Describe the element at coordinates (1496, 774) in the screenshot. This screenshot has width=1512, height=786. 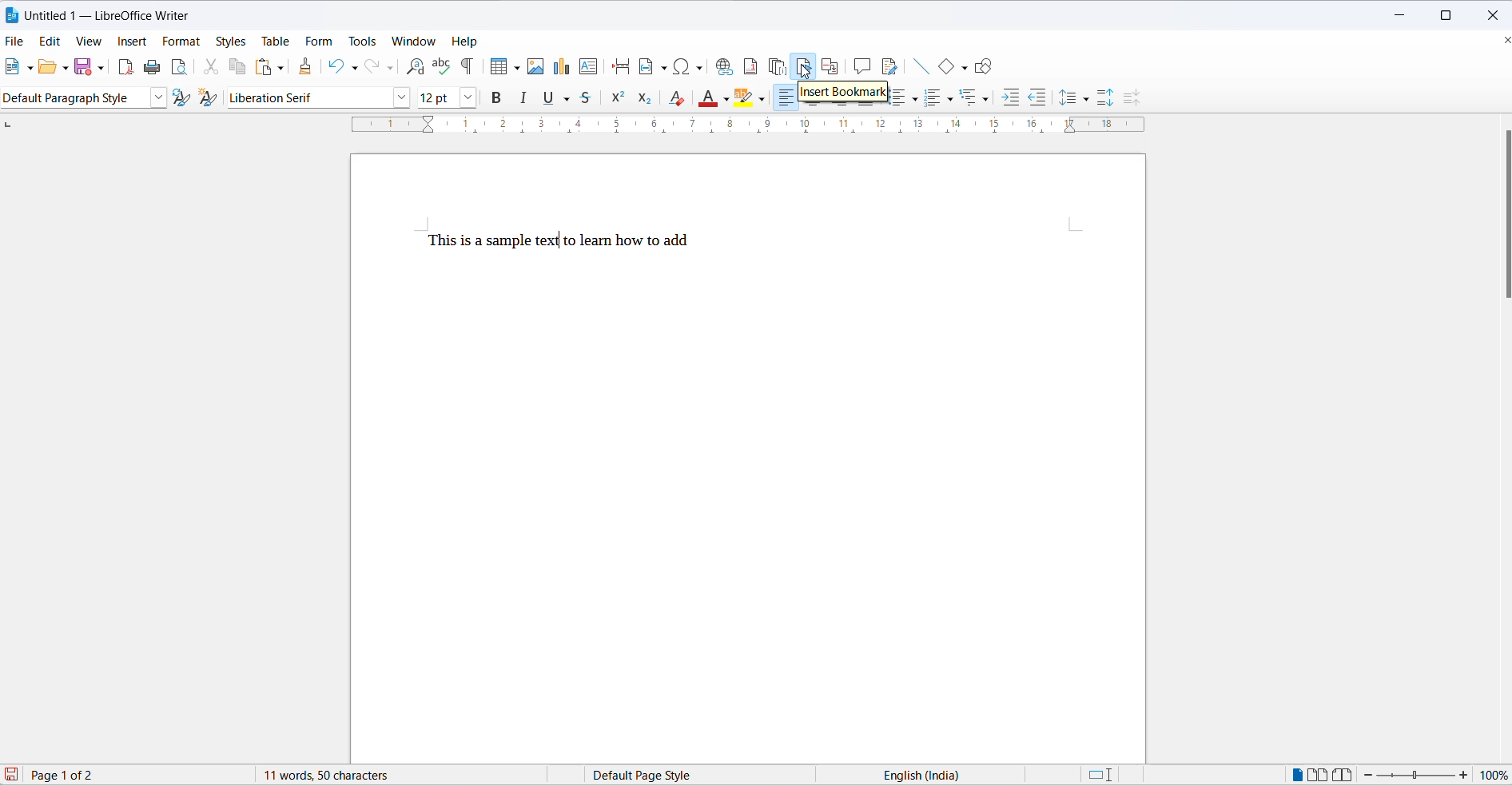
I see `zoom percentage` at that location.